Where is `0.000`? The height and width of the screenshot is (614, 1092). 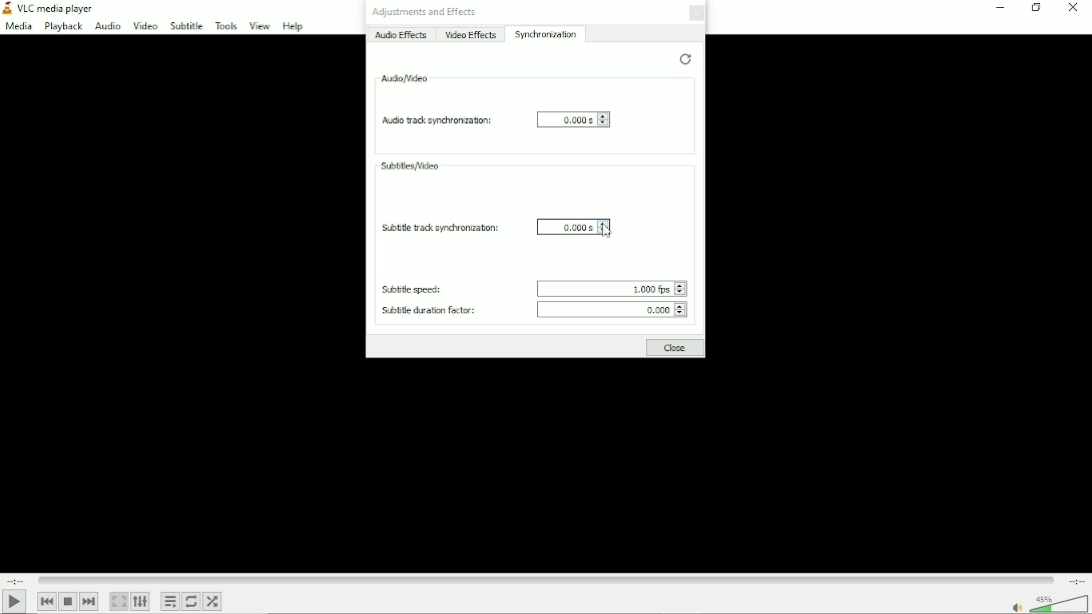 0.000 is located at coordinates (614, 311).